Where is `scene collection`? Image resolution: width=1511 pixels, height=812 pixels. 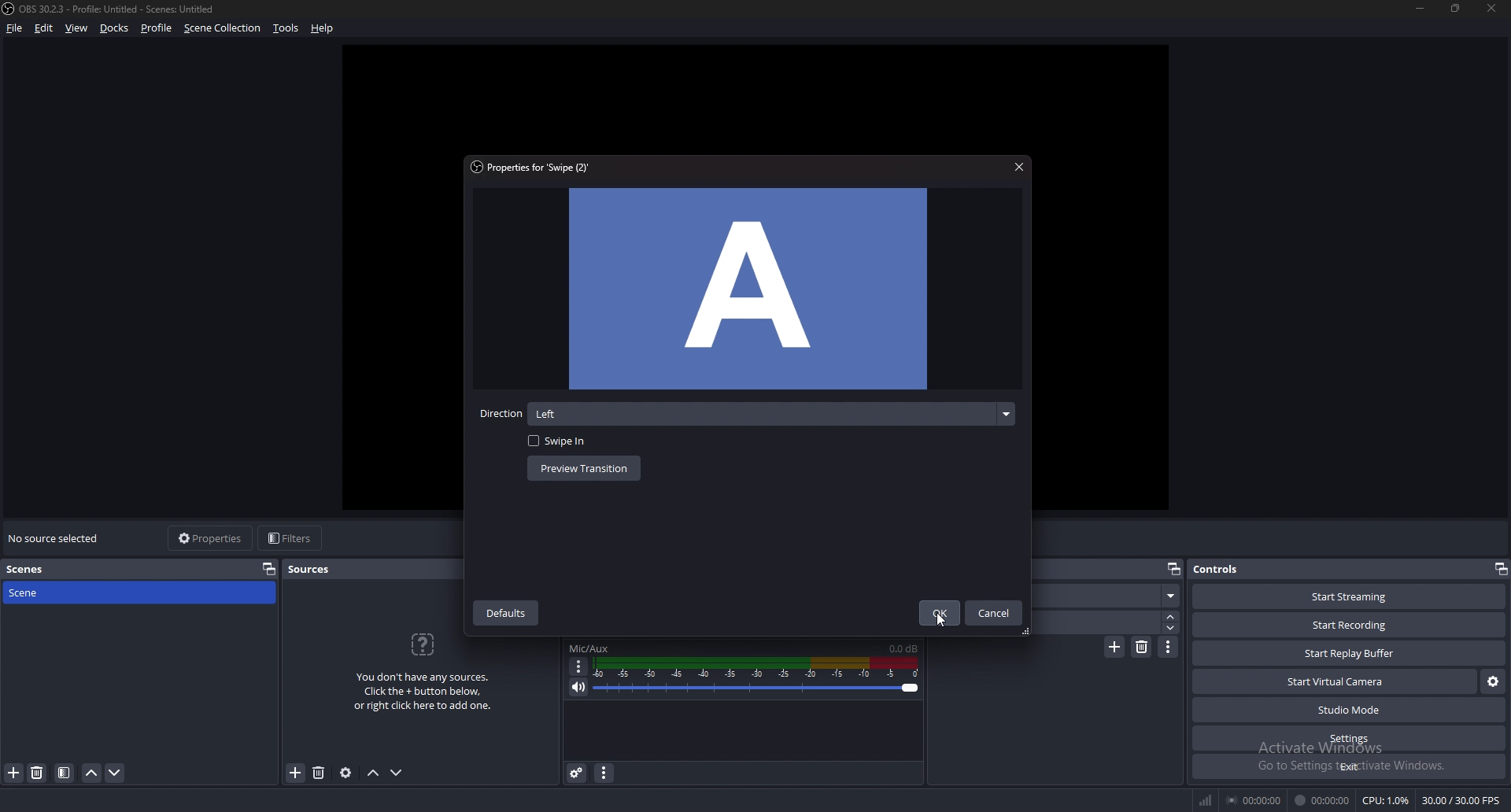
scene collection is located at coordinates (224, 28).